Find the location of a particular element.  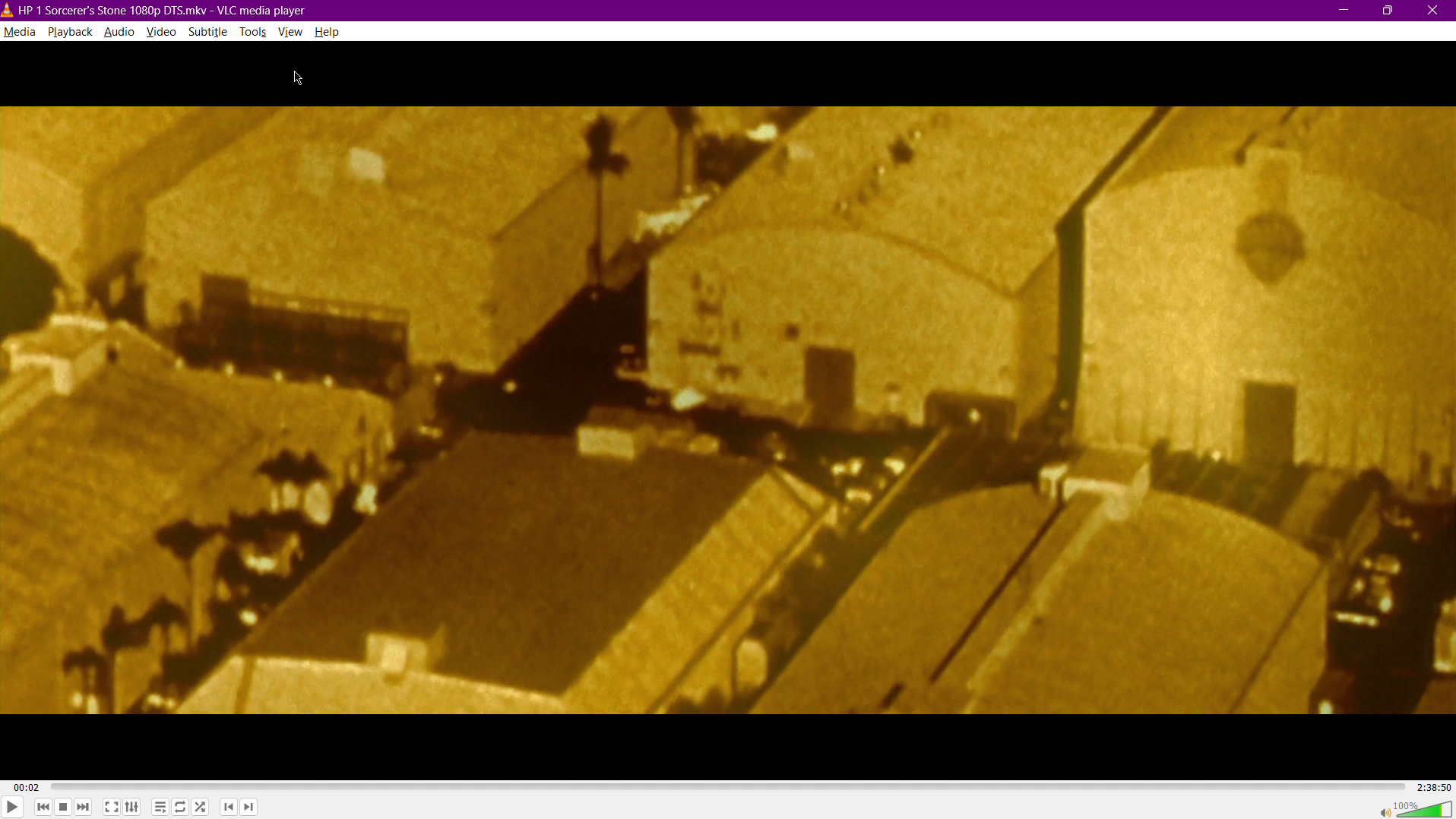

View is located at coordinates (293, 33).